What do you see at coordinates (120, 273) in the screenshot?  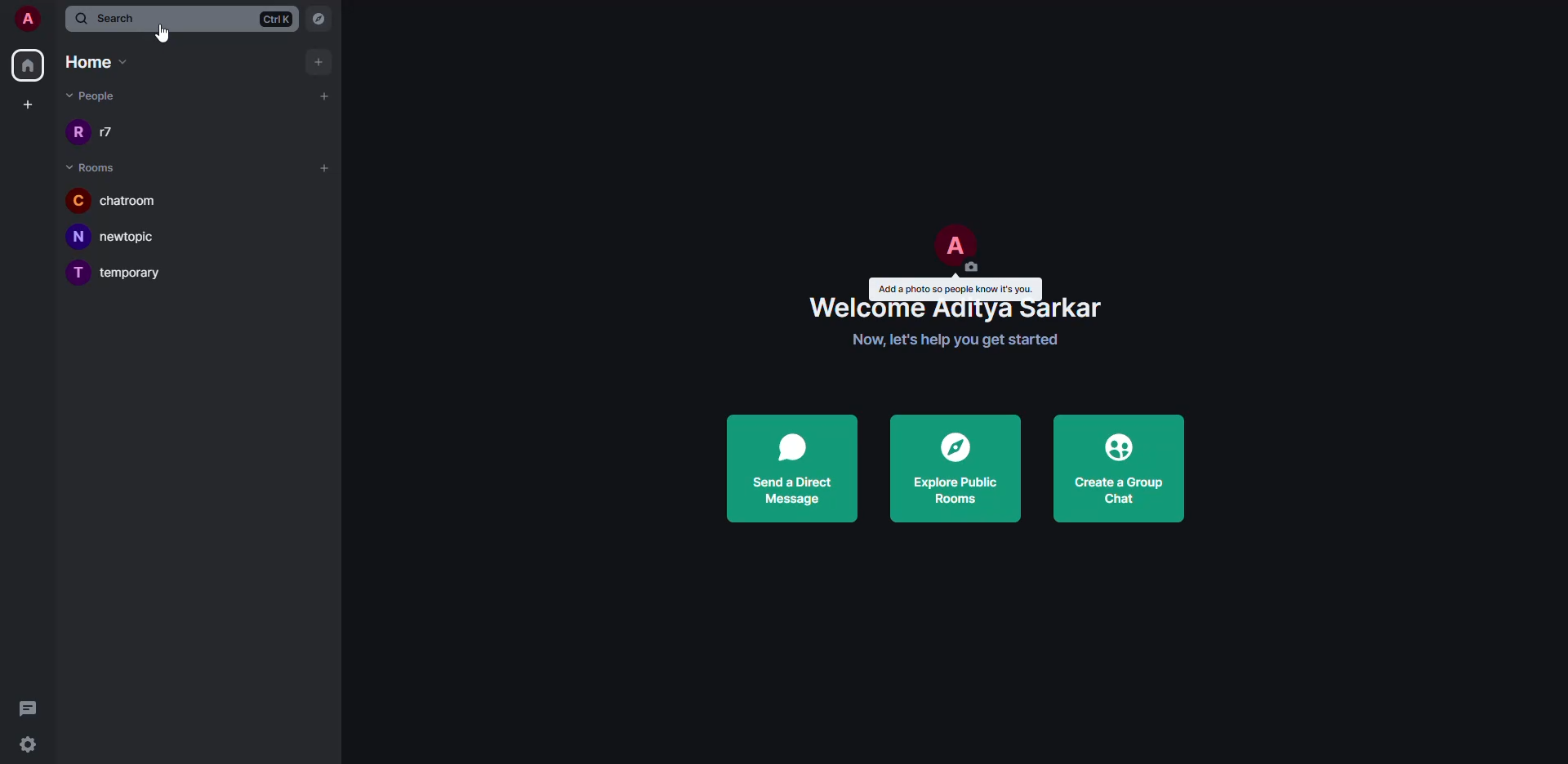 I see `room` at bounding box center [120, 273].